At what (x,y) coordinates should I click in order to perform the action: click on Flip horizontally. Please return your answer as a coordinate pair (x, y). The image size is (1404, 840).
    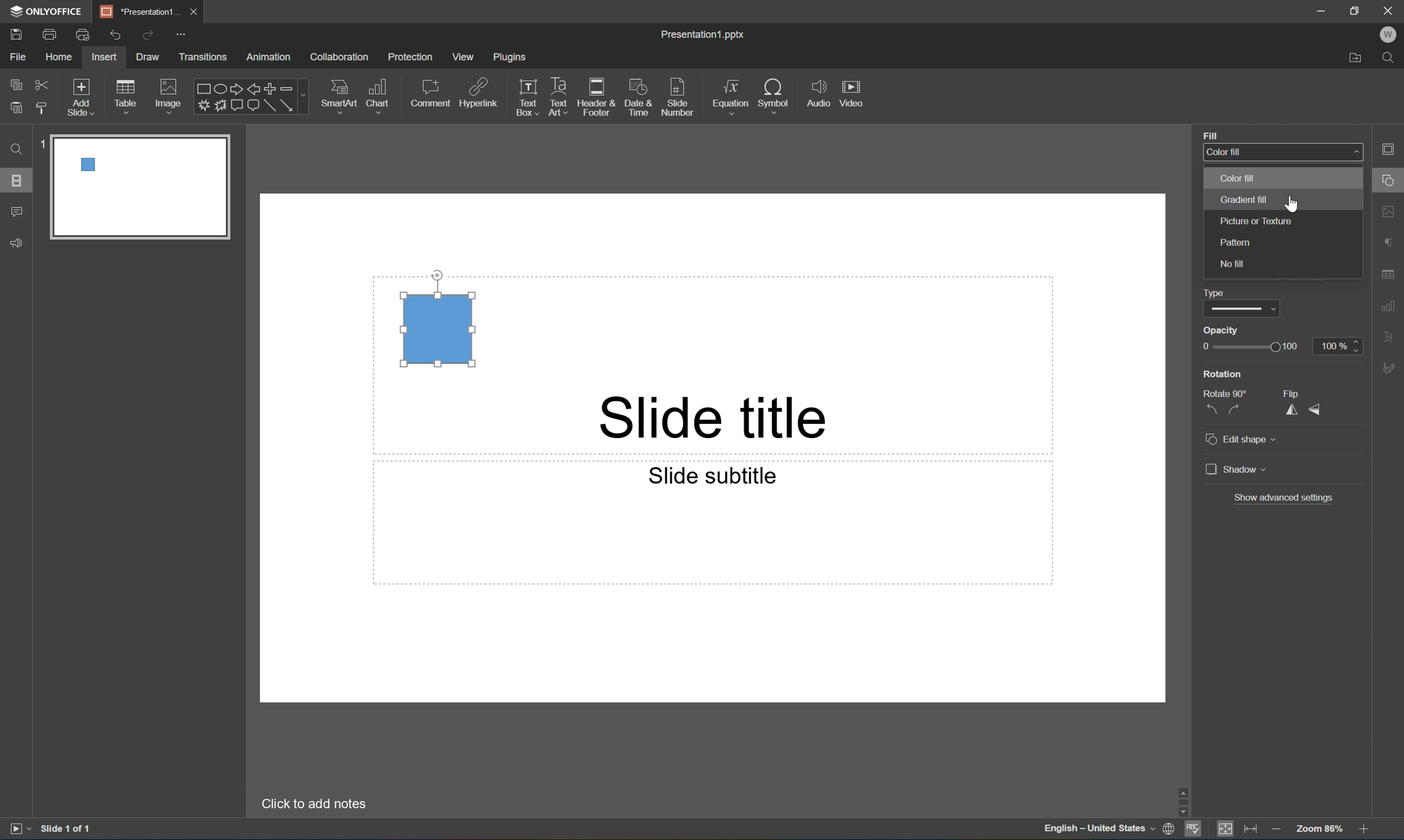
    Looking at the image, I should click on (1291, 409).